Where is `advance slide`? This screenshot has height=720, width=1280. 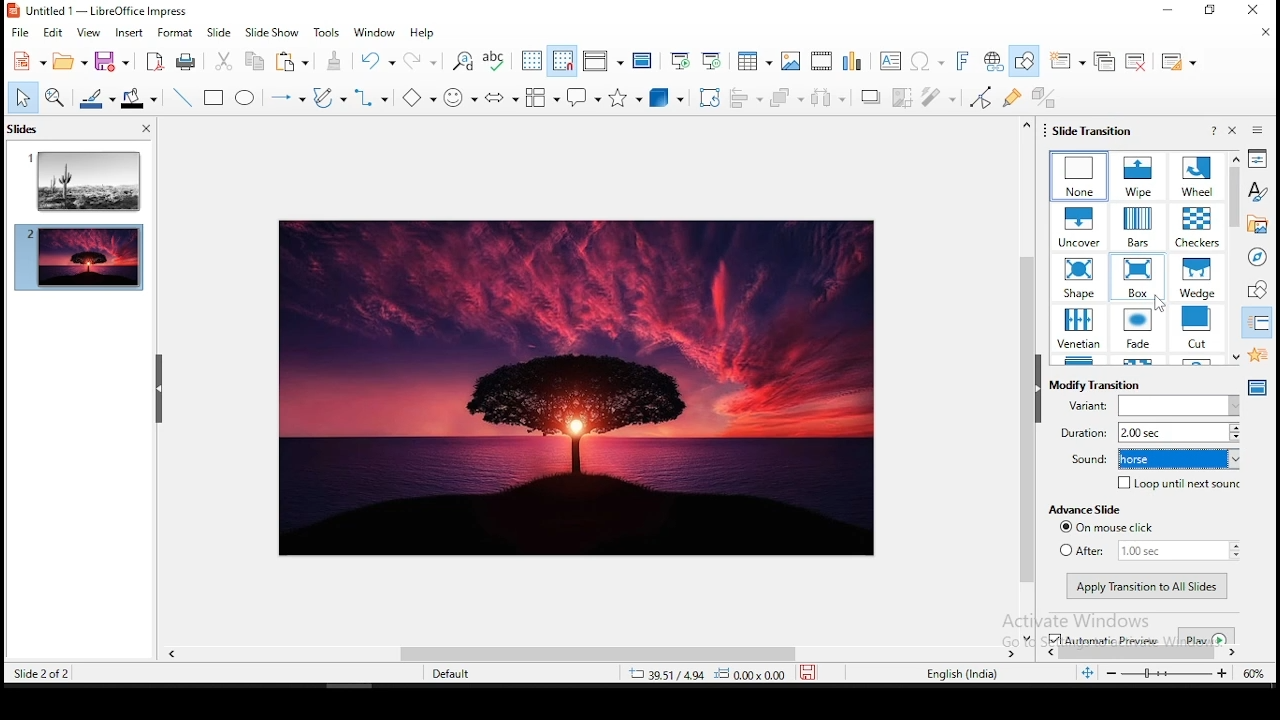
advance slide is located at coordinates (1083, 510).